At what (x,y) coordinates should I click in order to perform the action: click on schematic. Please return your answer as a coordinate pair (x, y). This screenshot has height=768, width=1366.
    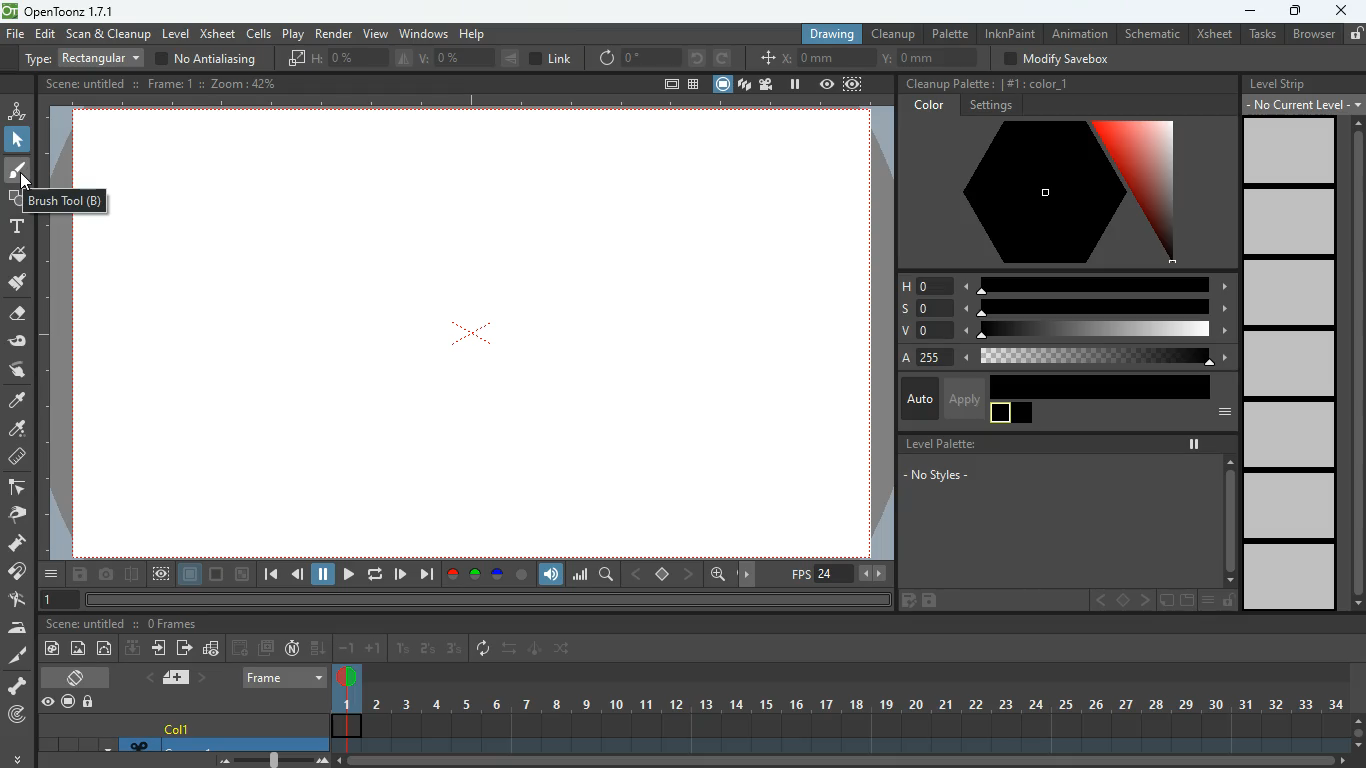
    Looking at the image, I should click on (1152, 34).